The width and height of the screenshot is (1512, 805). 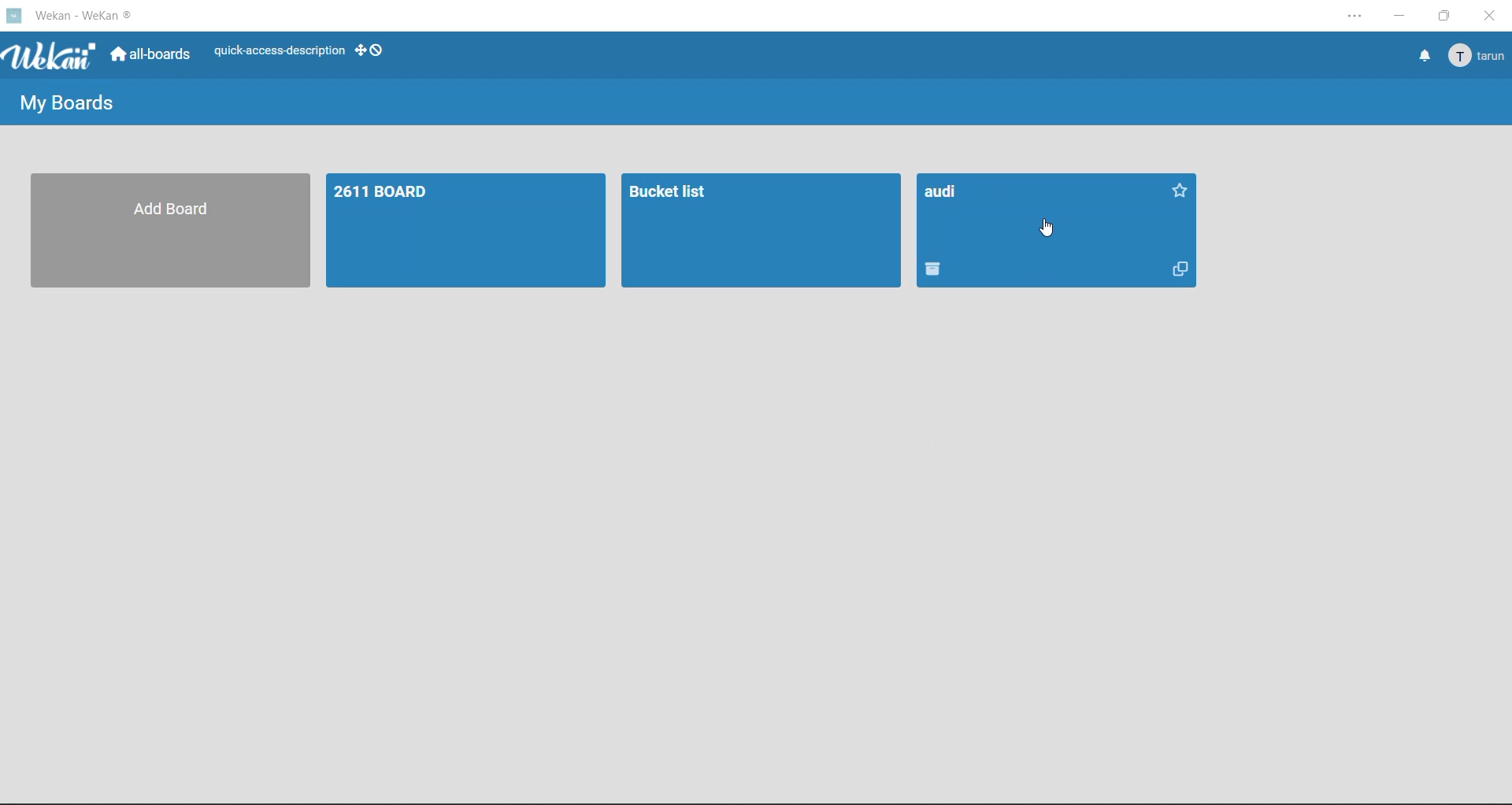 What do you see at coordinates (1028, 214) in the screenshot?
I see `audi` at bounding box center [1028, 214].